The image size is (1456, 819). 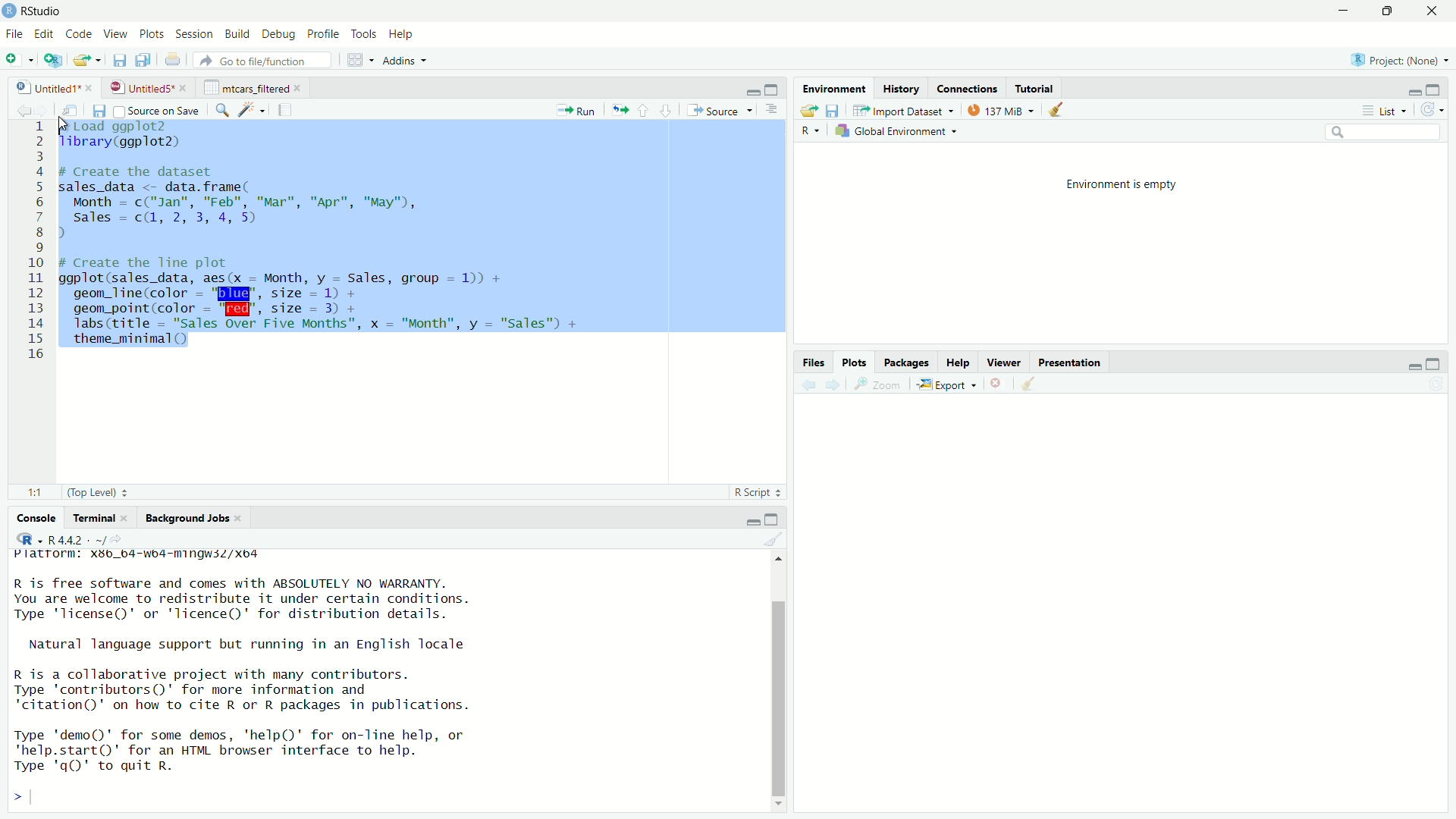 What do you see at coordinates (1394, 60) in the screenshot?
I see `project(None)` at bounding box center [1394, 60].